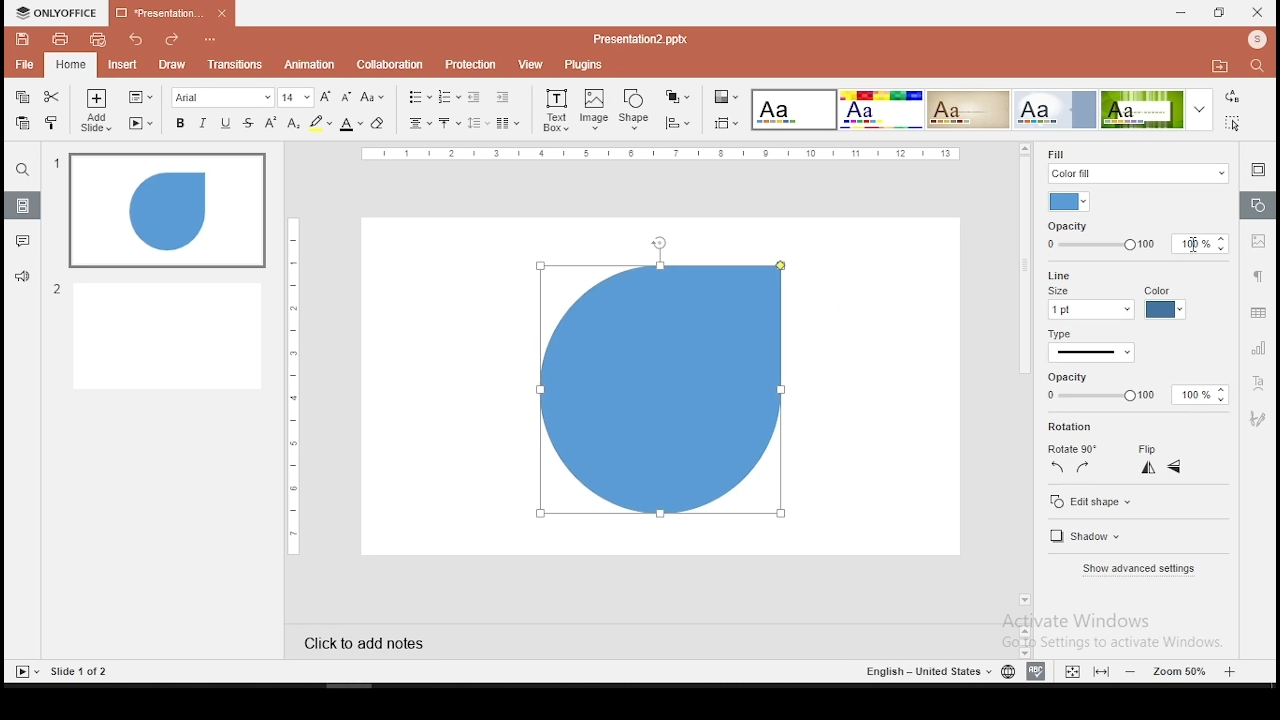  I want to click on columns, so click(504, 123).